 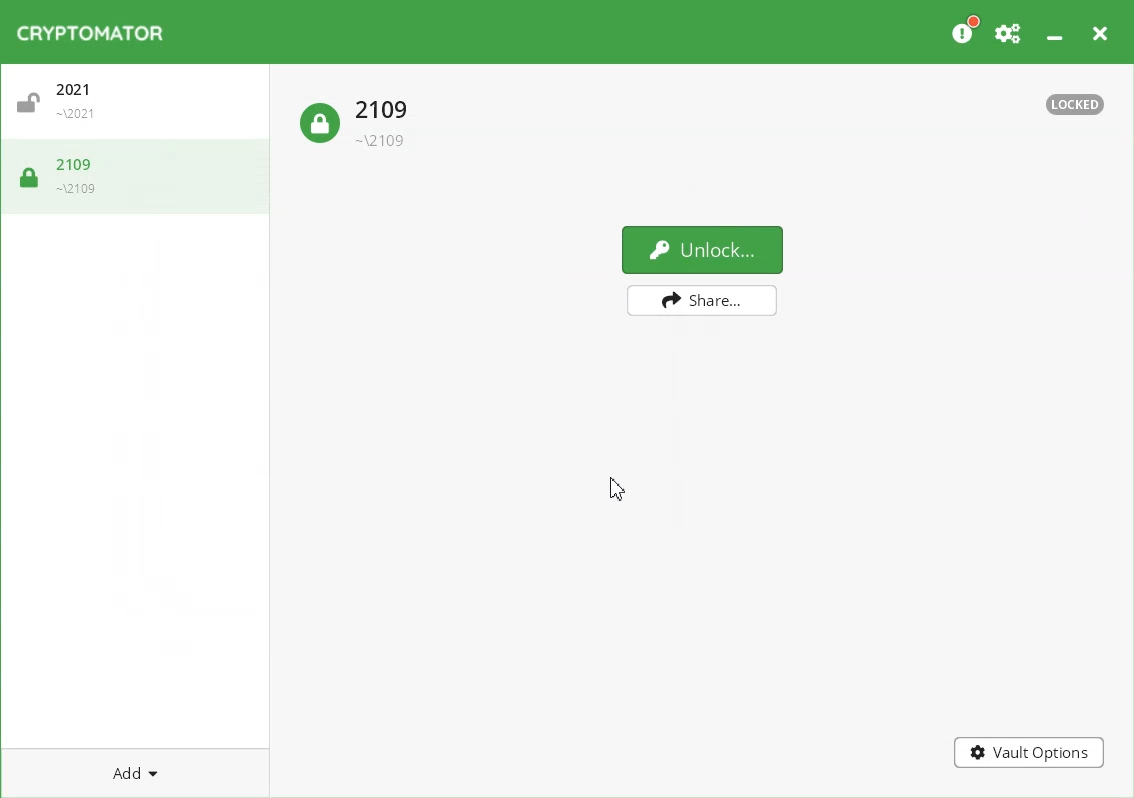 What do you see at coordinates (703, 249) in the screenshot?
I see `Unlock` at bounding box center [703, 249].